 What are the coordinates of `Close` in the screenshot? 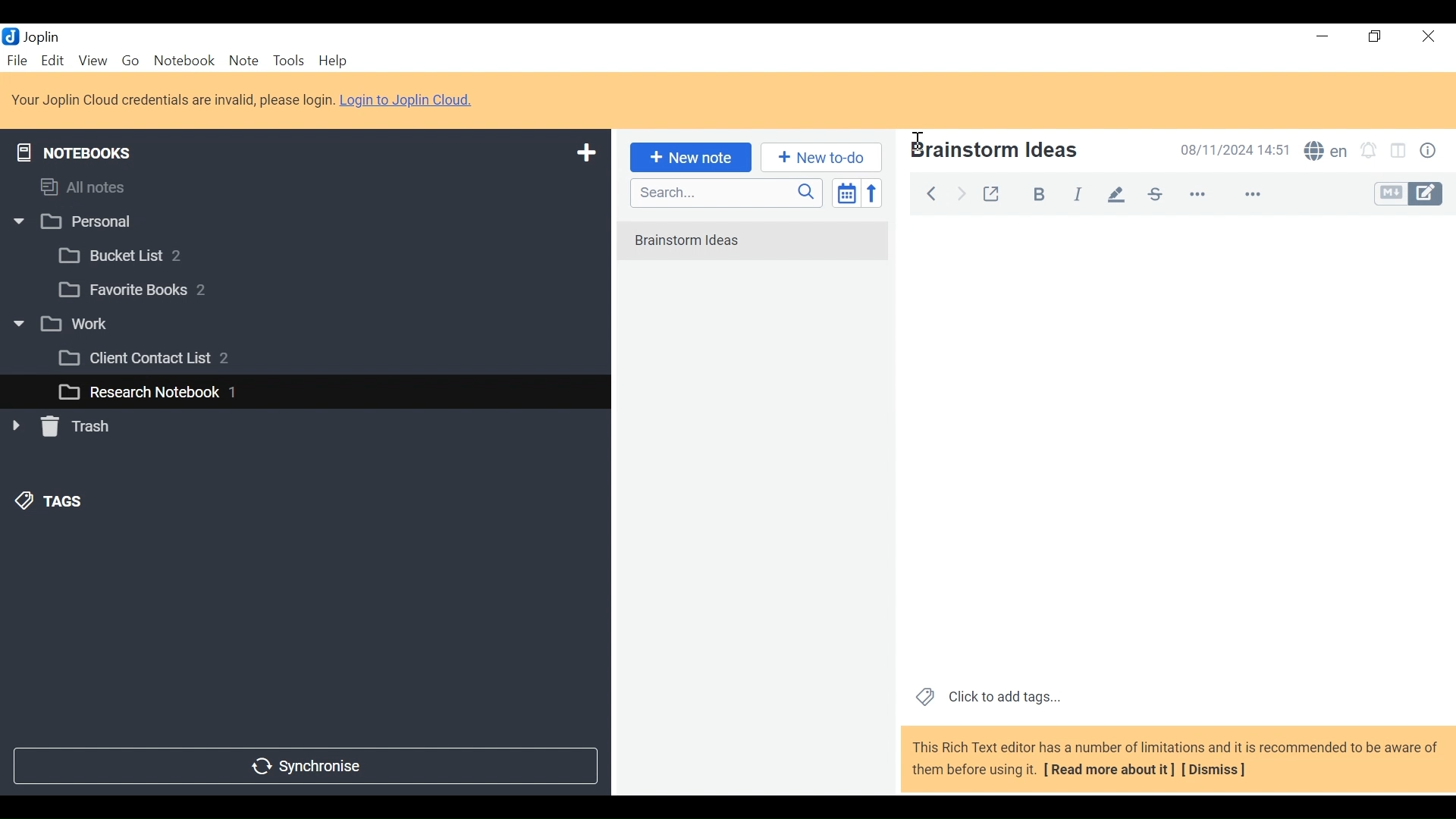 It's located at (1426, 37).